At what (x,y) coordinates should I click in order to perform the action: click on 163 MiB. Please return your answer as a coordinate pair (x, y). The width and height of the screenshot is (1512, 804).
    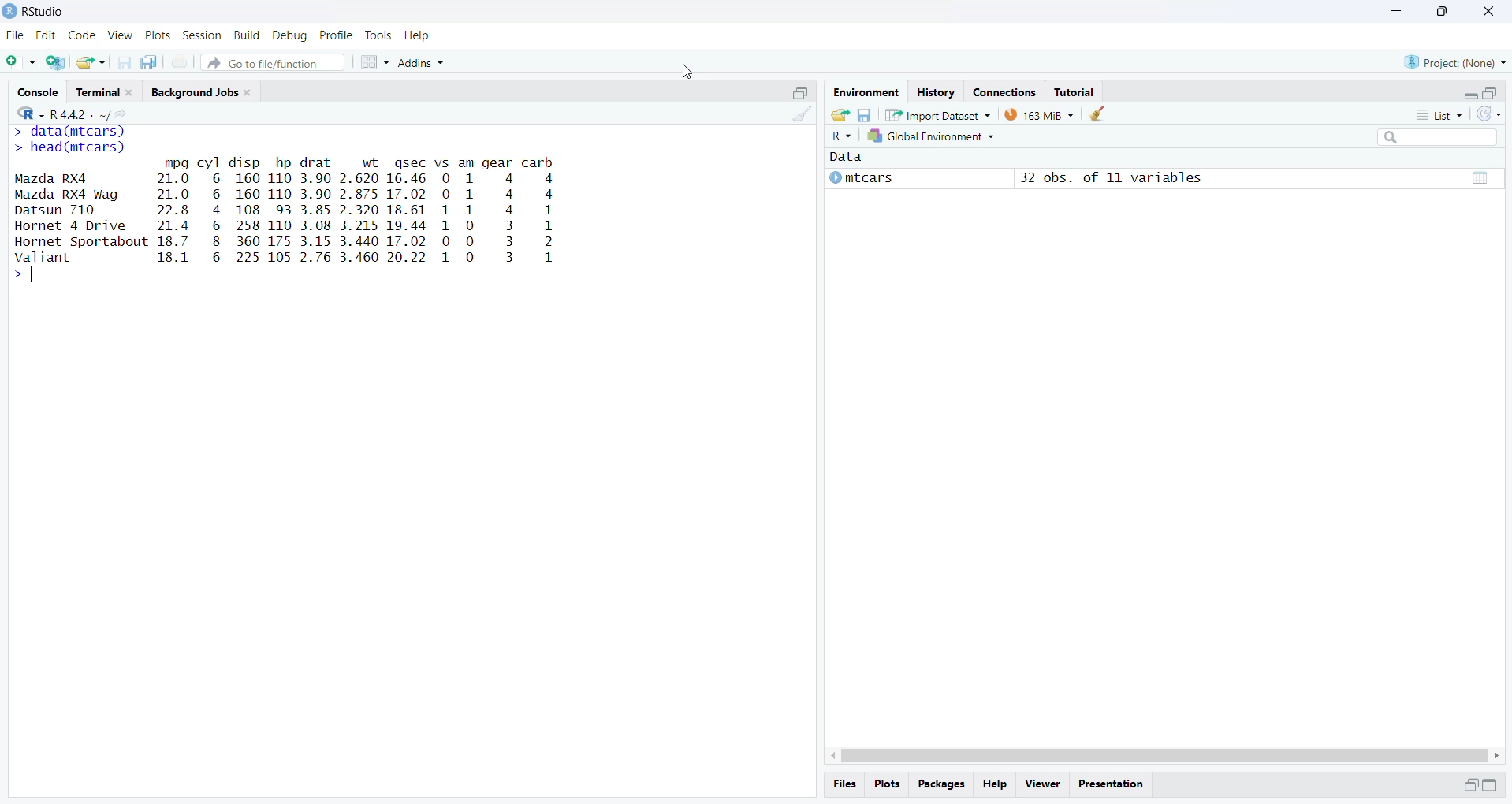
    Looking at the image, I should click on (1039, 115).